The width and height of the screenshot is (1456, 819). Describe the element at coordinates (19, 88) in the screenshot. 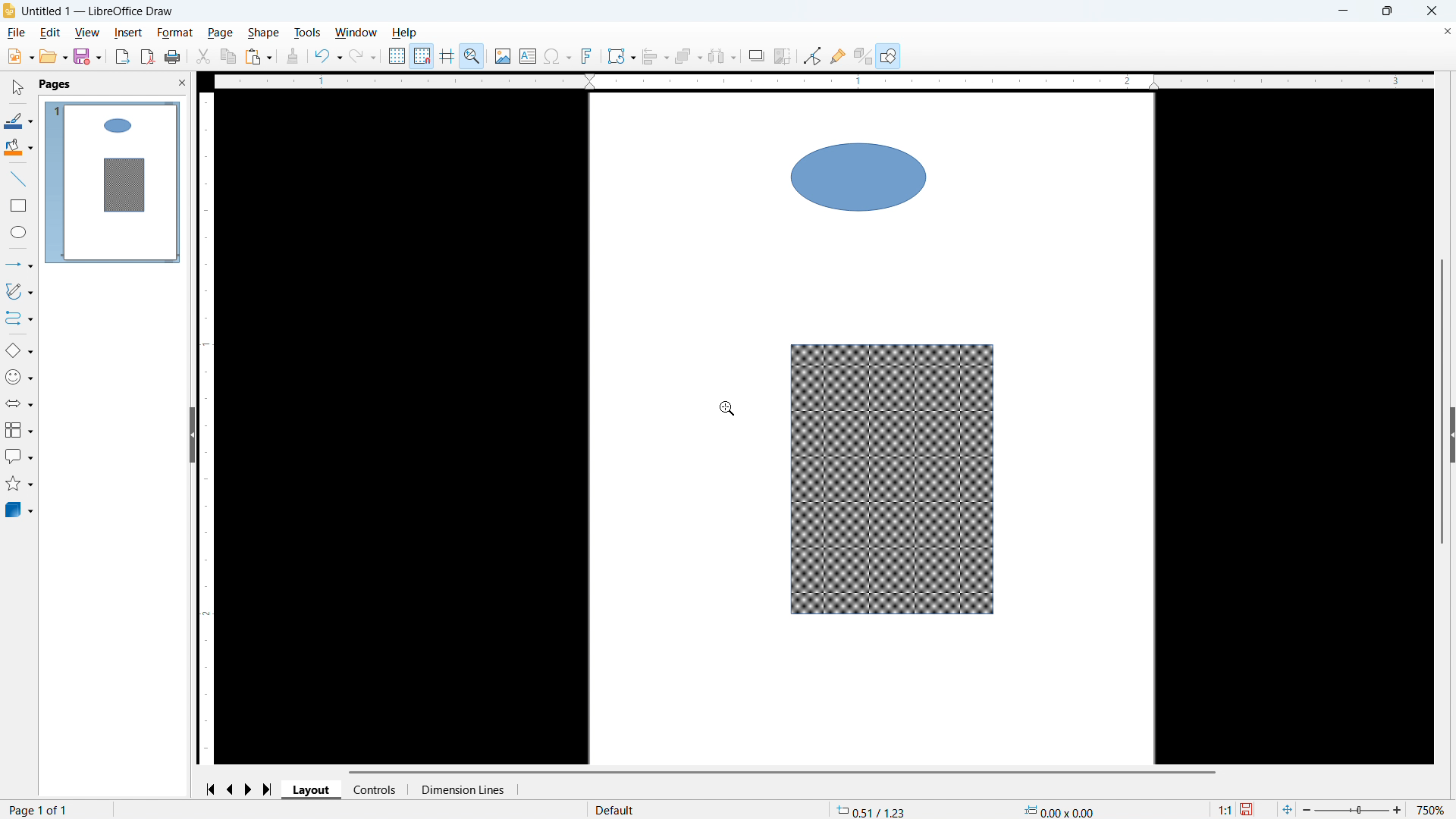

I see `select ` at that location.